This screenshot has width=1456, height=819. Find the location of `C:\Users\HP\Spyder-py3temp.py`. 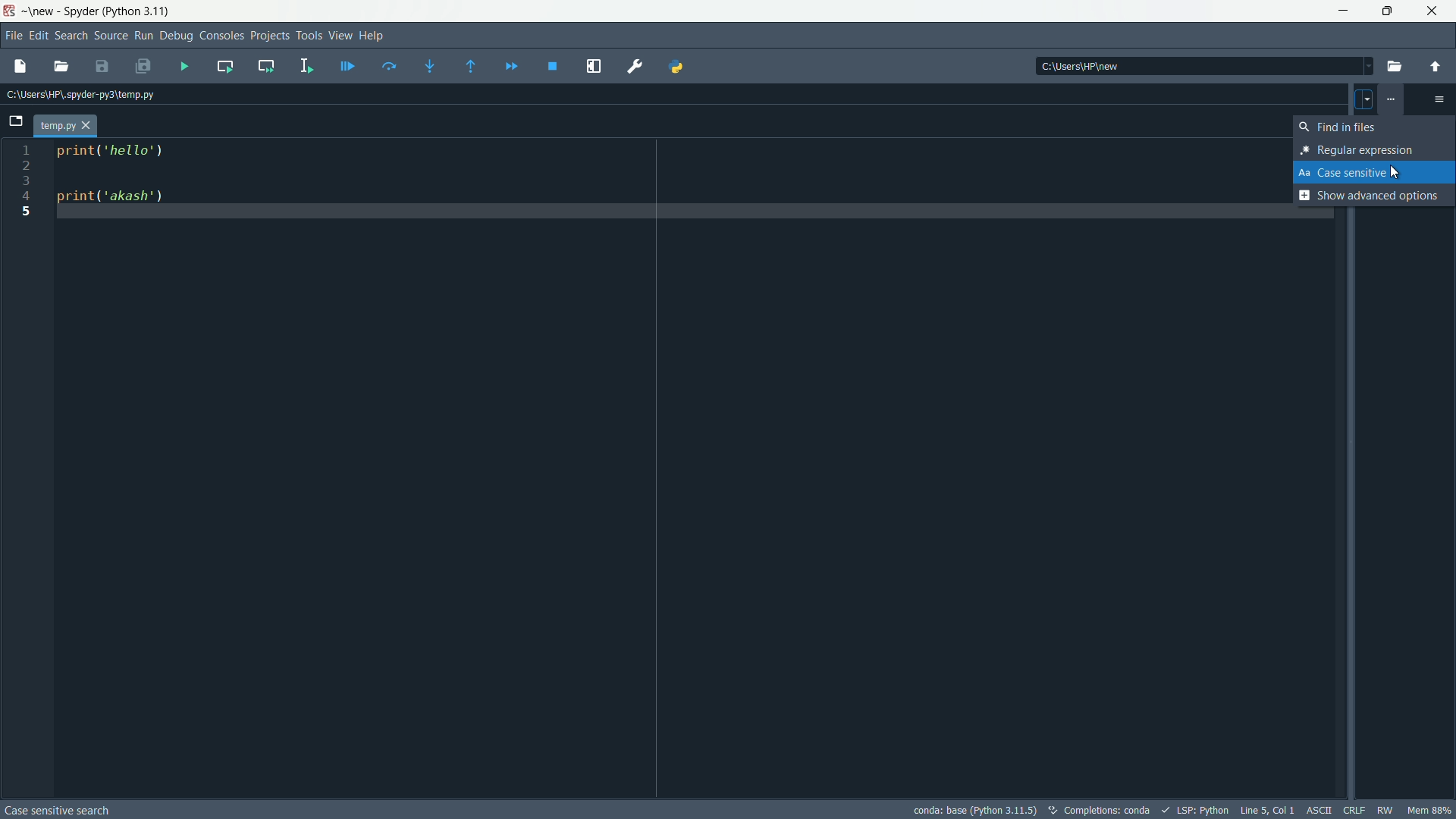

C:\Users\HP\Spyder-py3temp.py is located at coordinates (81, 93).